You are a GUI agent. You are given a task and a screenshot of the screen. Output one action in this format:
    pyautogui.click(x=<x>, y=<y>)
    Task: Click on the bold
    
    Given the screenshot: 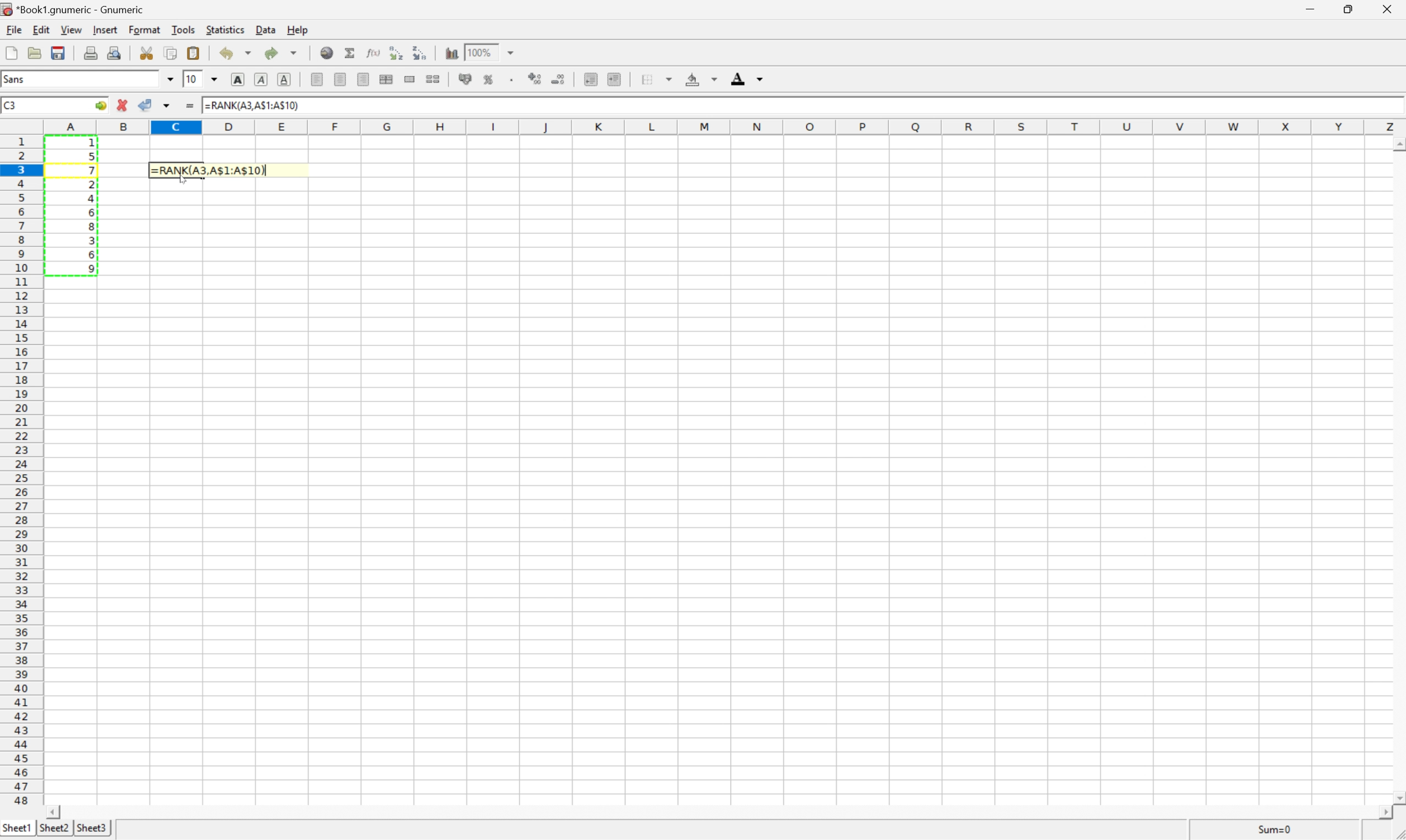 What is the action you would take?
    pyautogui.click(x=237, y=79)
    